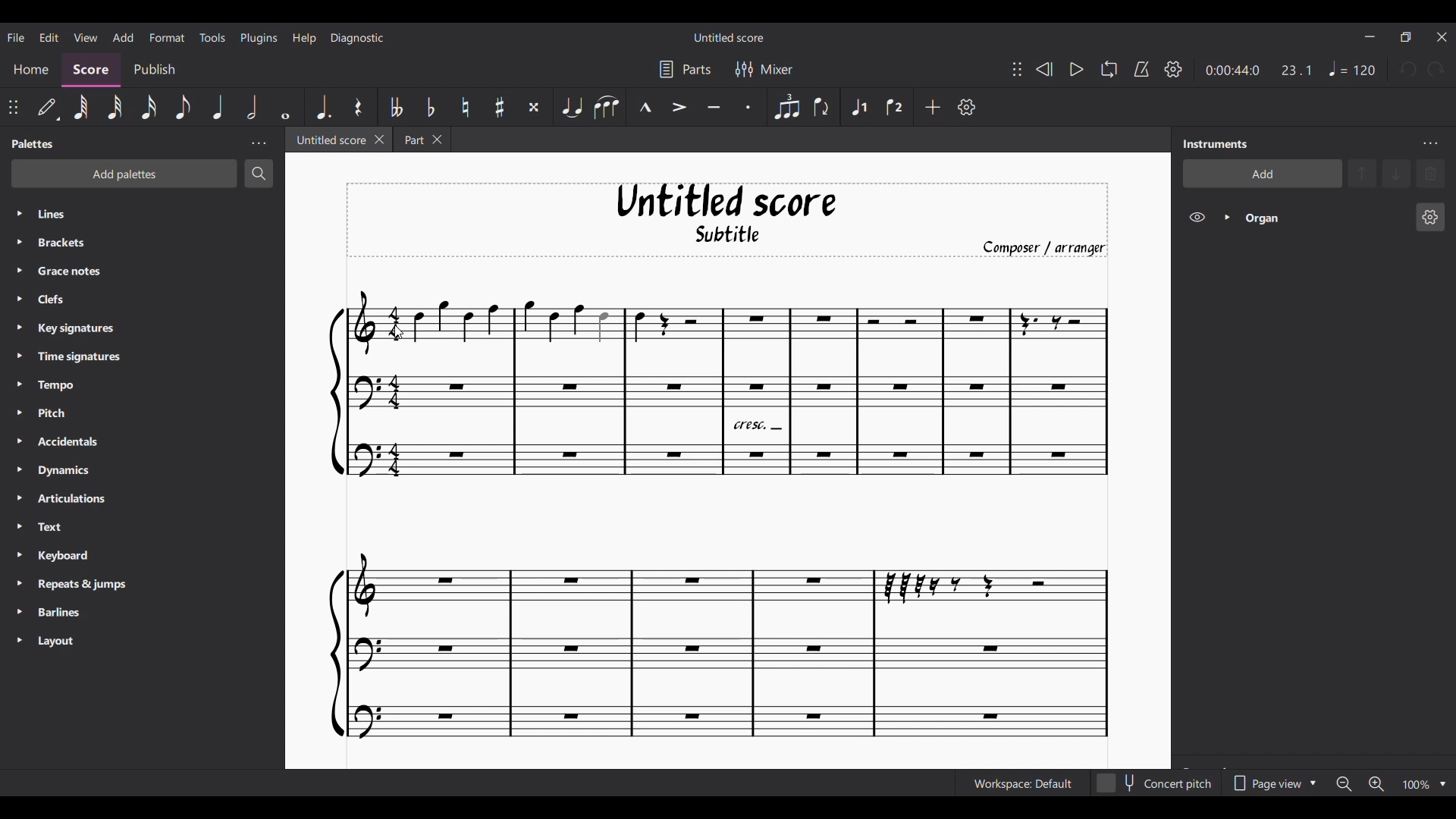 The image size is (1456, 819). Describe the element at coordinates (15, 38) in the screenshot. I see `File menu` at that location.